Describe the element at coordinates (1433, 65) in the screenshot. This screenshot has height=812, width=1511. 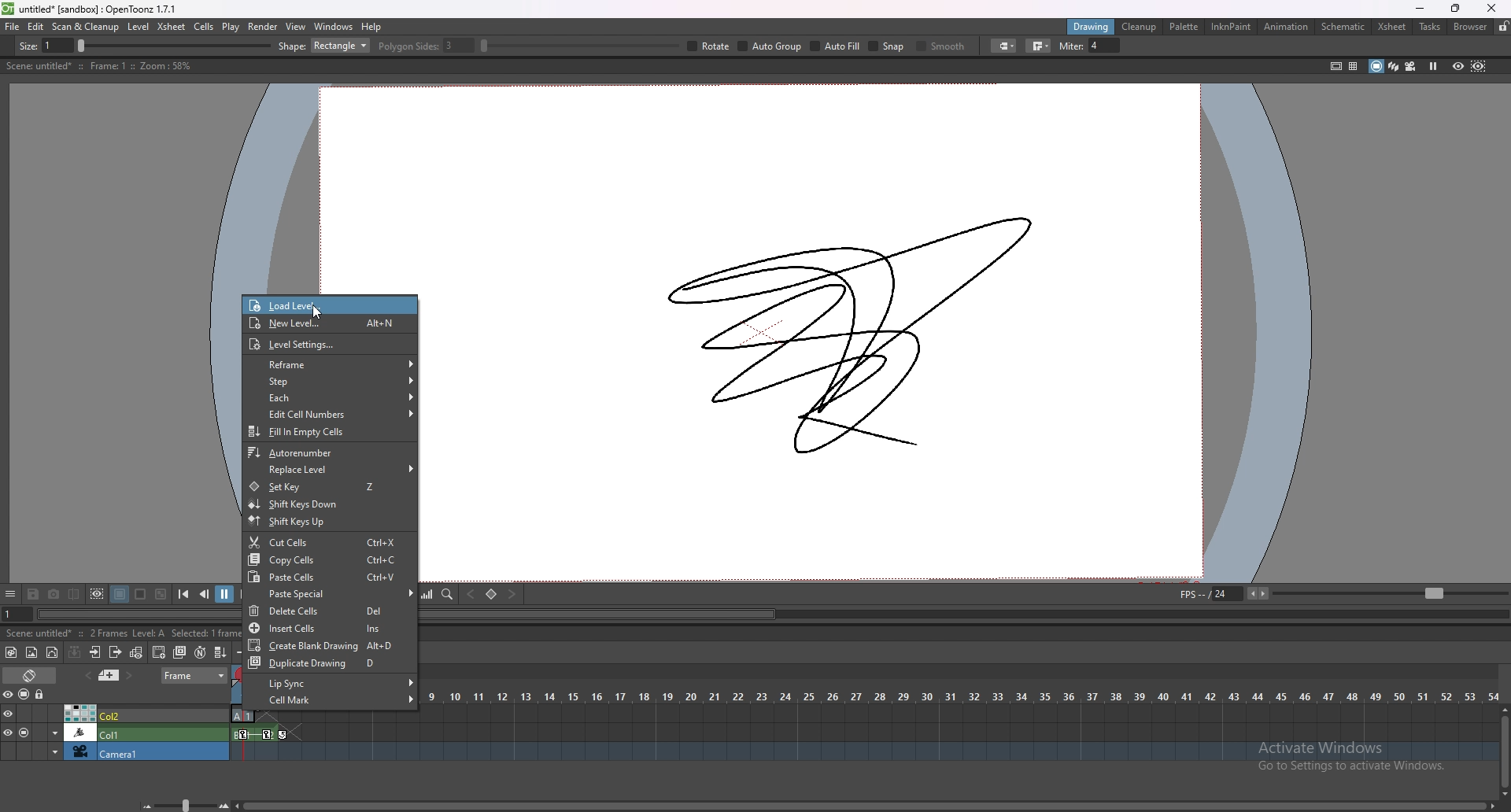
I see `freeze` at that location.